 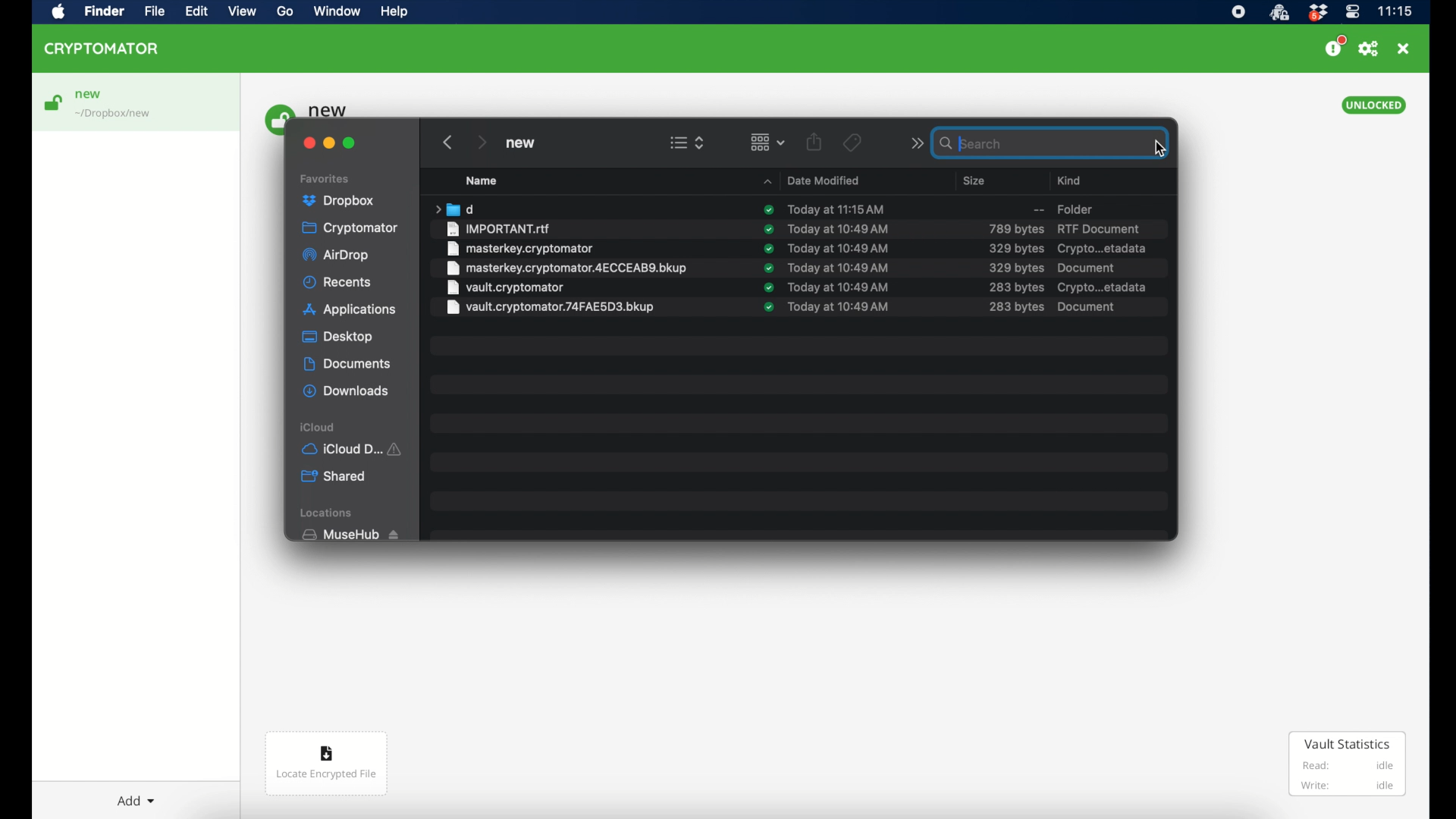 What do you see at coordinates (327, 764) in the screenshot?
I see `locate encrypted file` at bounding box center [327, 764].